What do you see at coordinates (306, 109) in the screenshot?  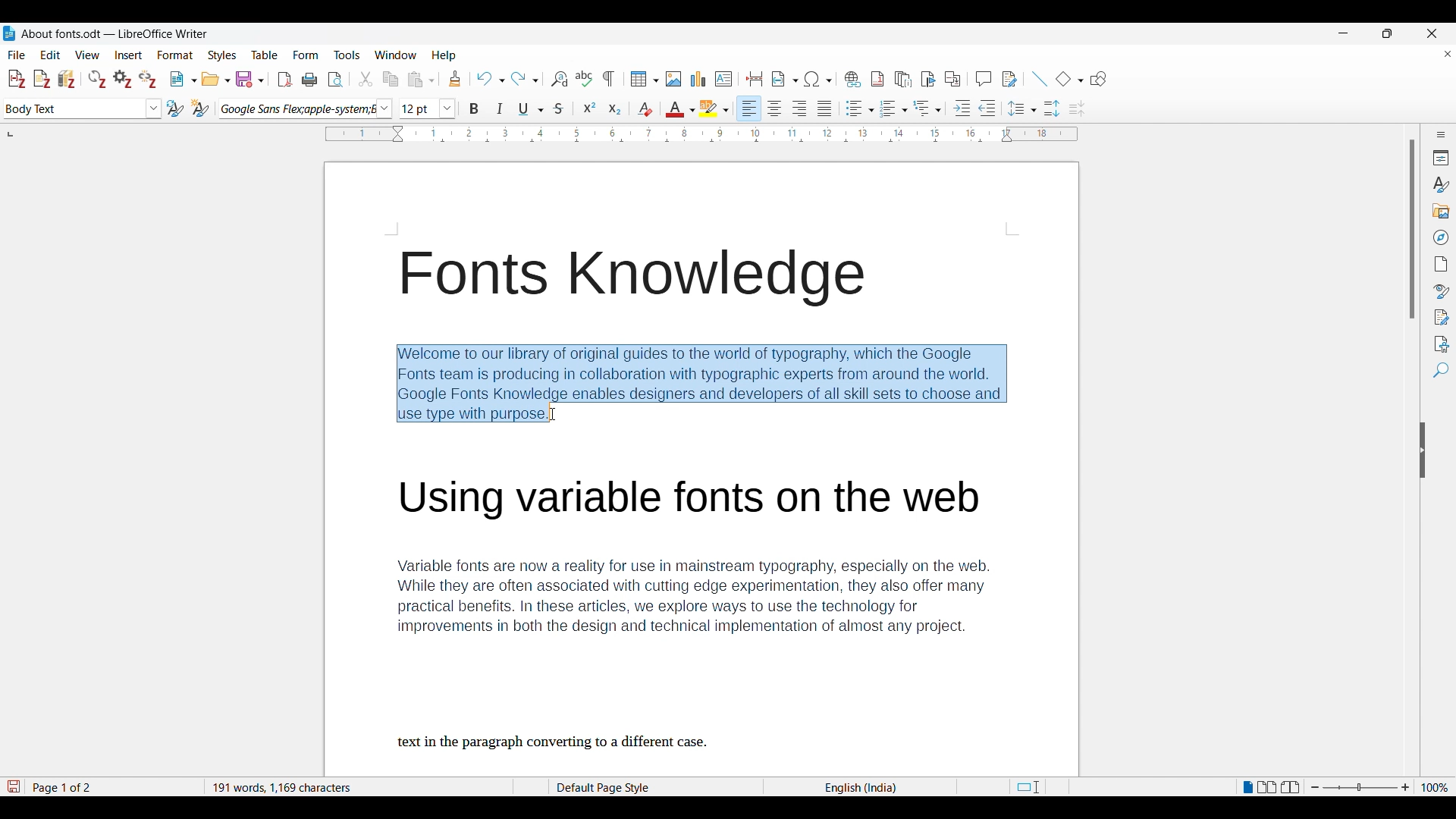 I see `Font options` at bounding box center [306, 109].